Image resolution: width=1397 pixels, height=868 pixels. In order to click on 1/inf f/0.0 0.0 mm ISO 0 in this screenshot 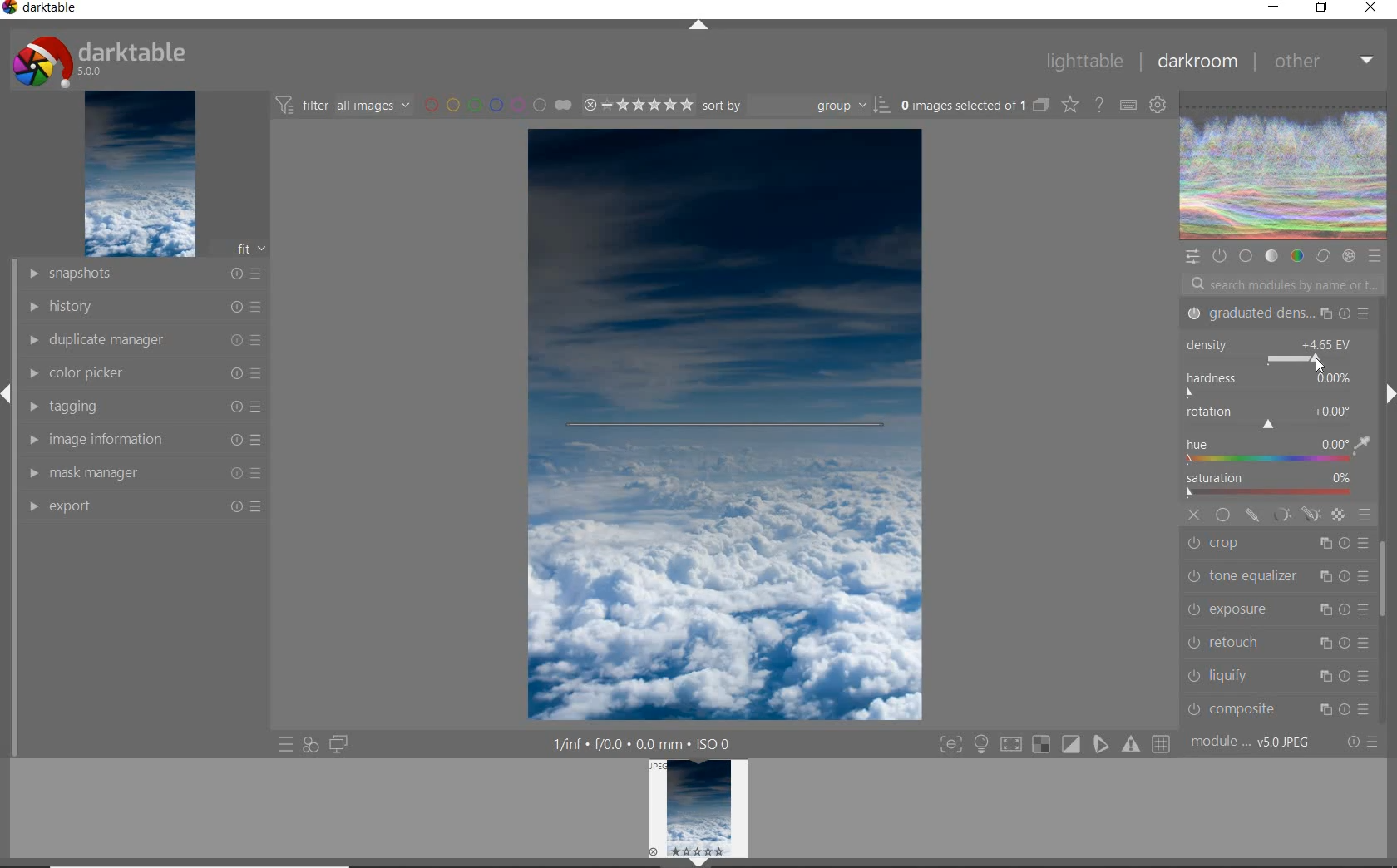, I will do `click(645, 742)`.